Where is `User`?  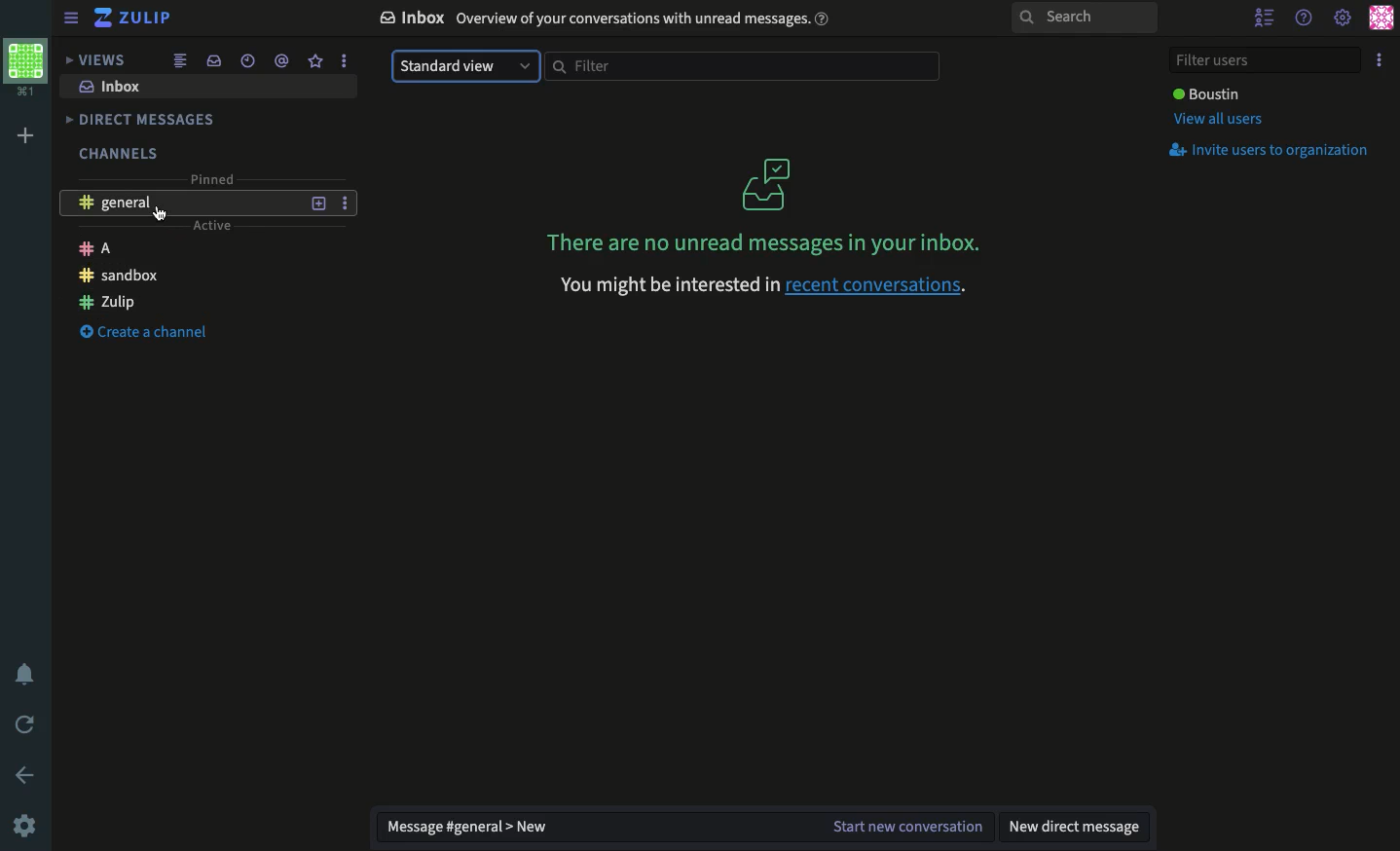 User is located at coordinates (1205, 94).